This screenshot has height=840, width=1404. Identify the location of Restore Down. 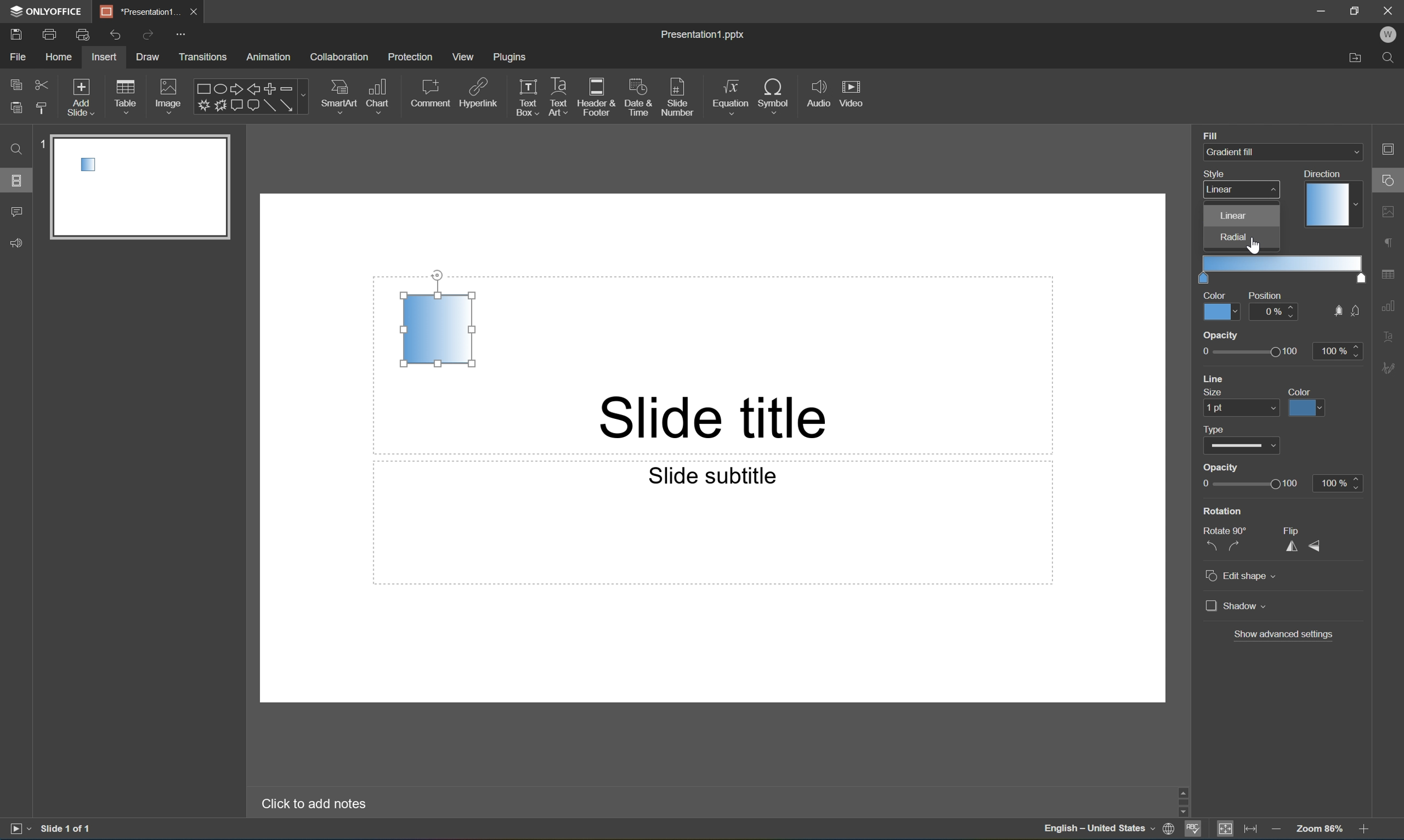
(1356, 8).